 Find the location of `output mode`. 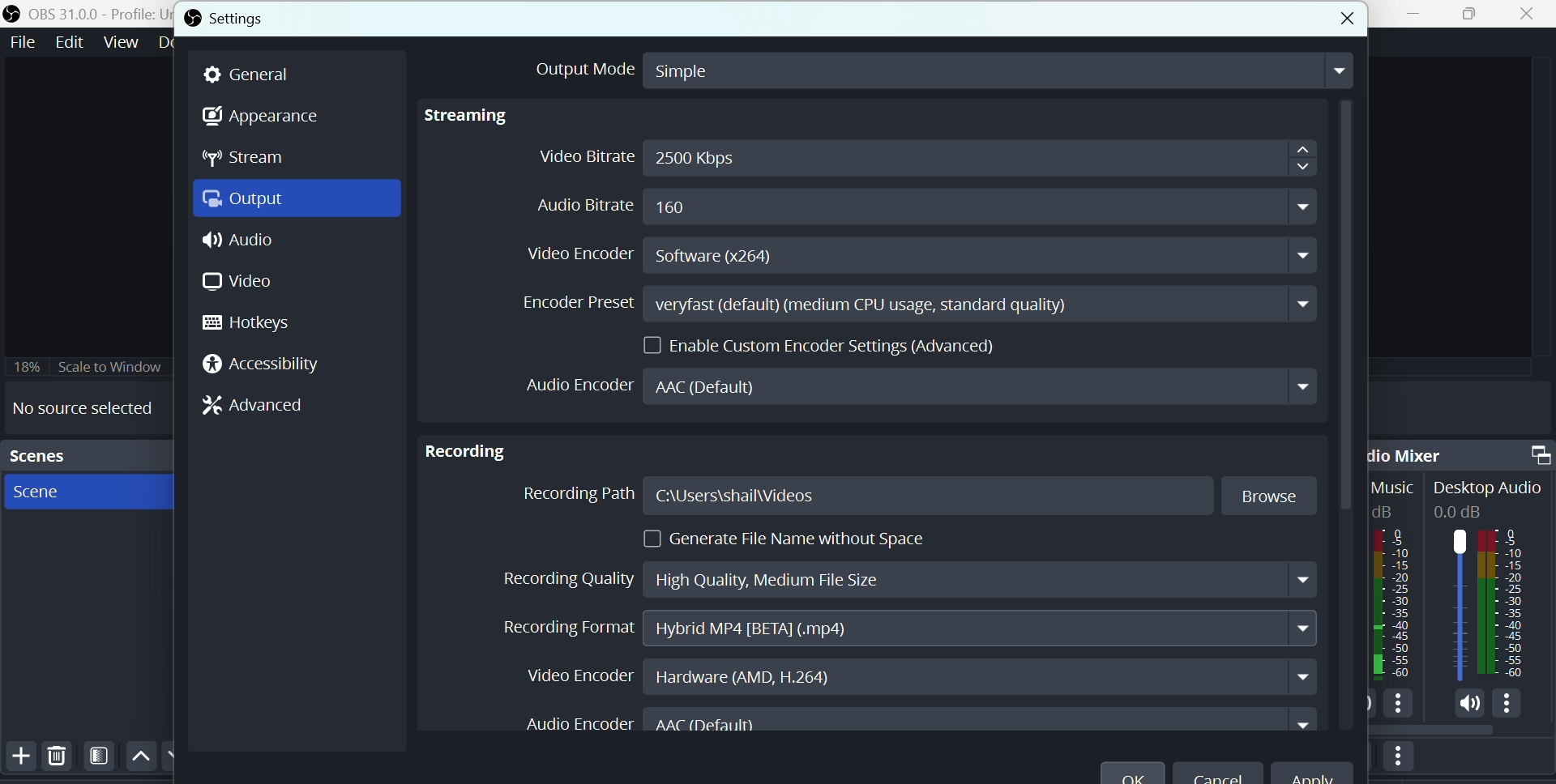

output mode is located at coordinates (938, 69).